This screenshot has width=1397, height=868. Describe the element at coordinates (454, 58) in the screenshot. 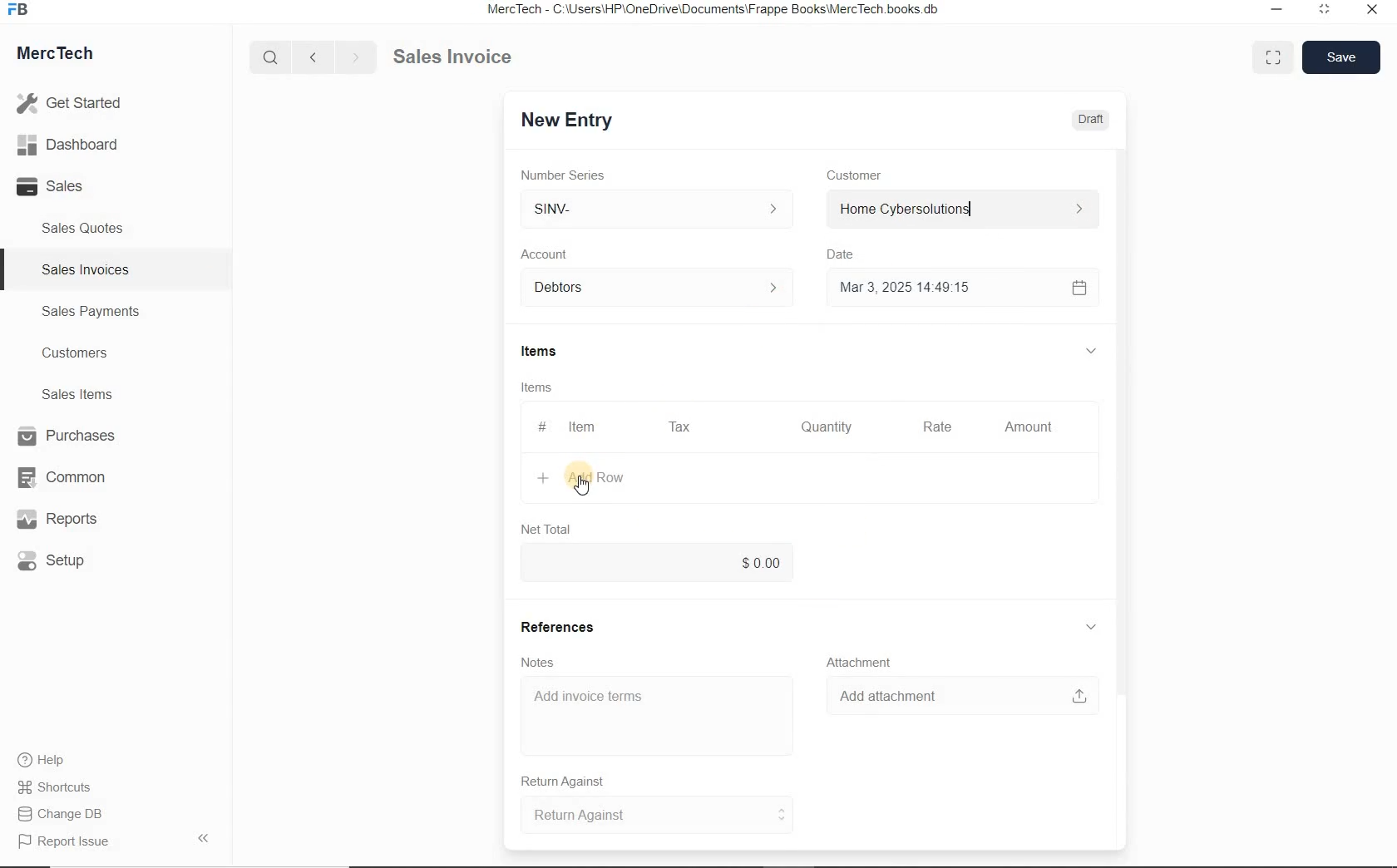

I see `Sales Invoice` at that location.